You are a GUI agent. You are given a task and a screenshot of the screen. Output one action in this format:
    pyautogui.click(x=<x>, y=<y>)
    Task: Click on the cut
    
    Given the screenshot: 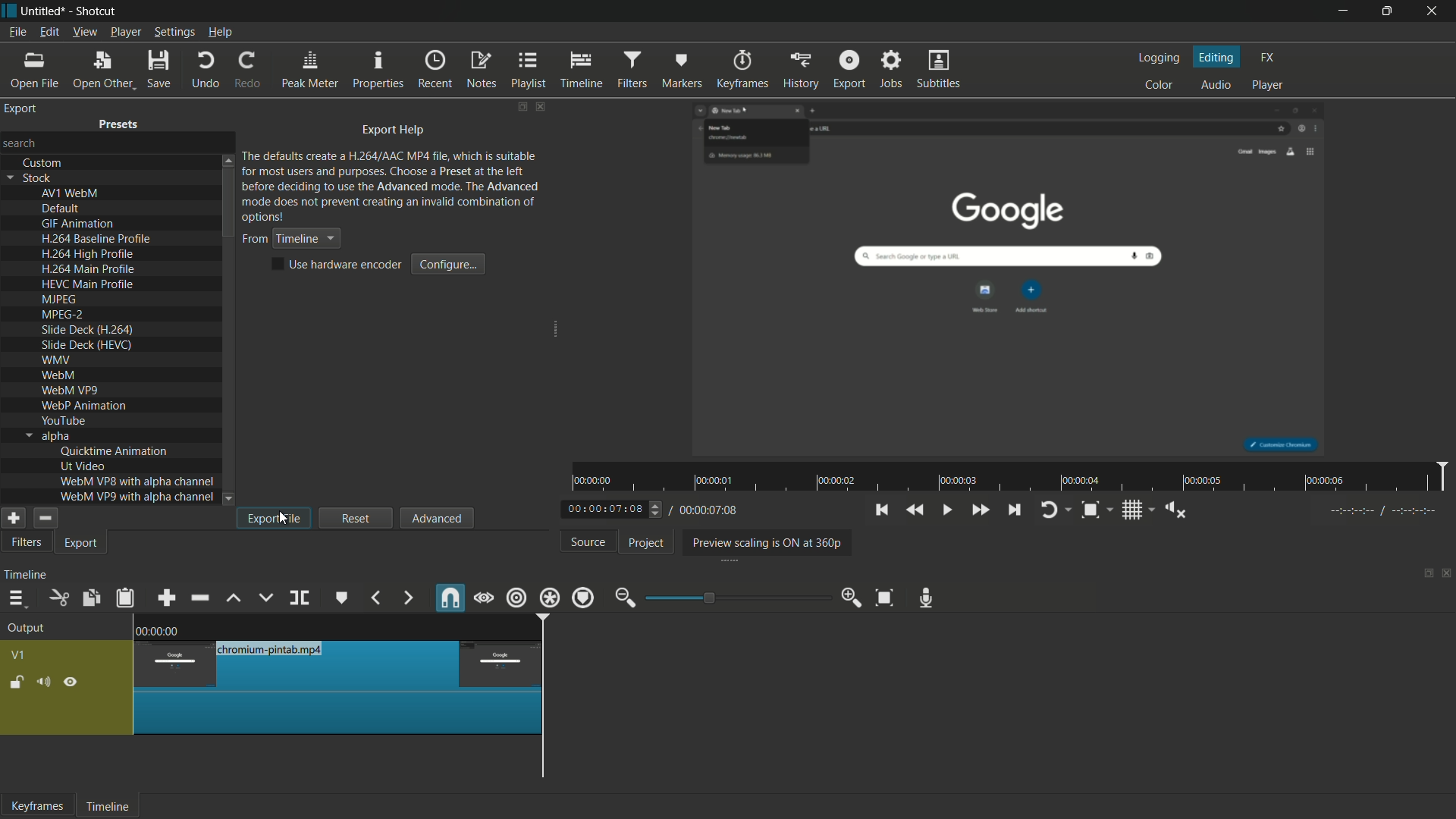 What is the action you would take?
    pyautogui.click(x=58, y=599)
    